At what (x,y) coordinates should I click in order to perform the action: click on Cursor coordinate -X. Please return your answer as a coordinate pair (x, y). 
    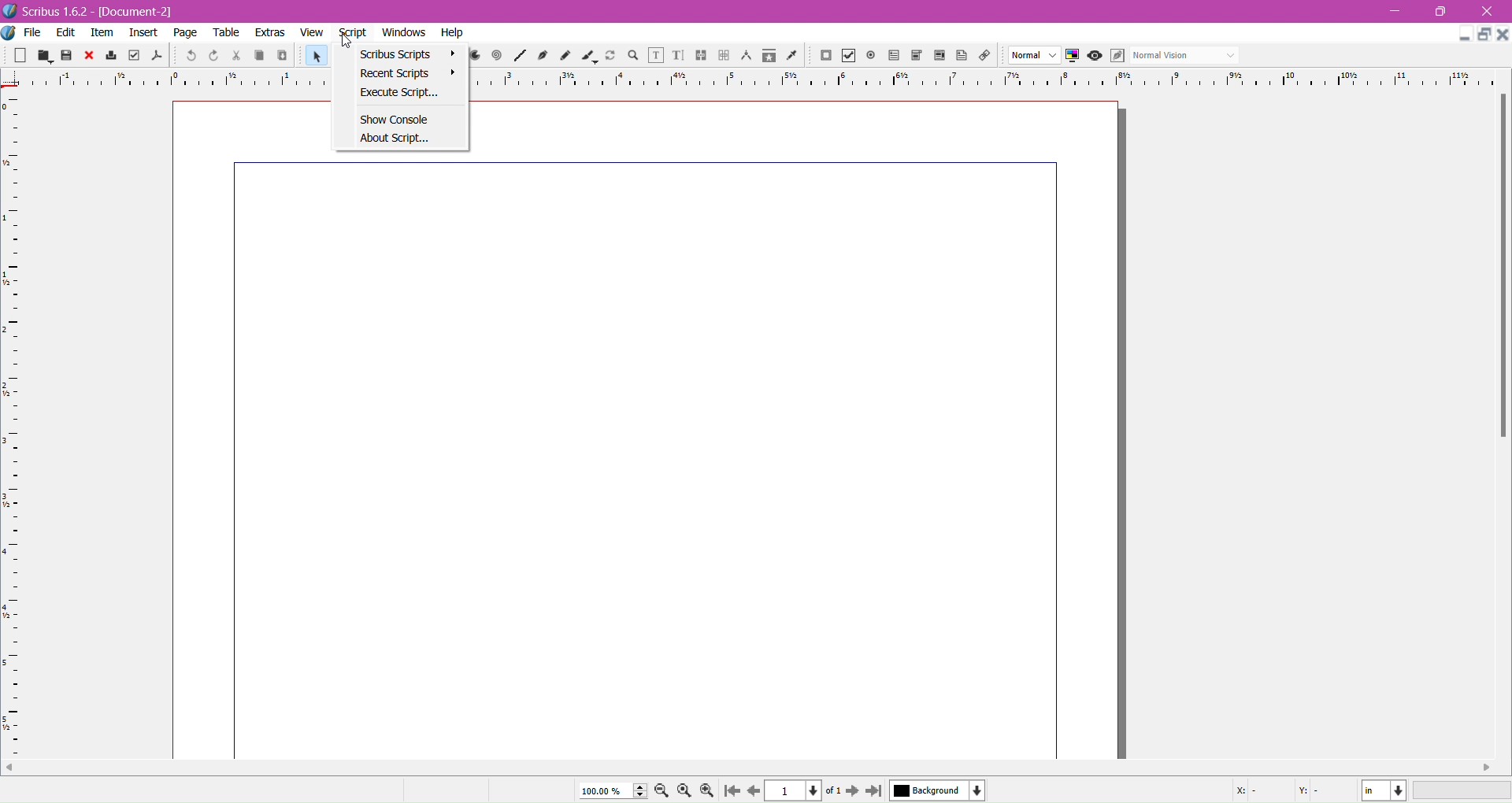
    Looking at the image, I should click on (1254, 791).